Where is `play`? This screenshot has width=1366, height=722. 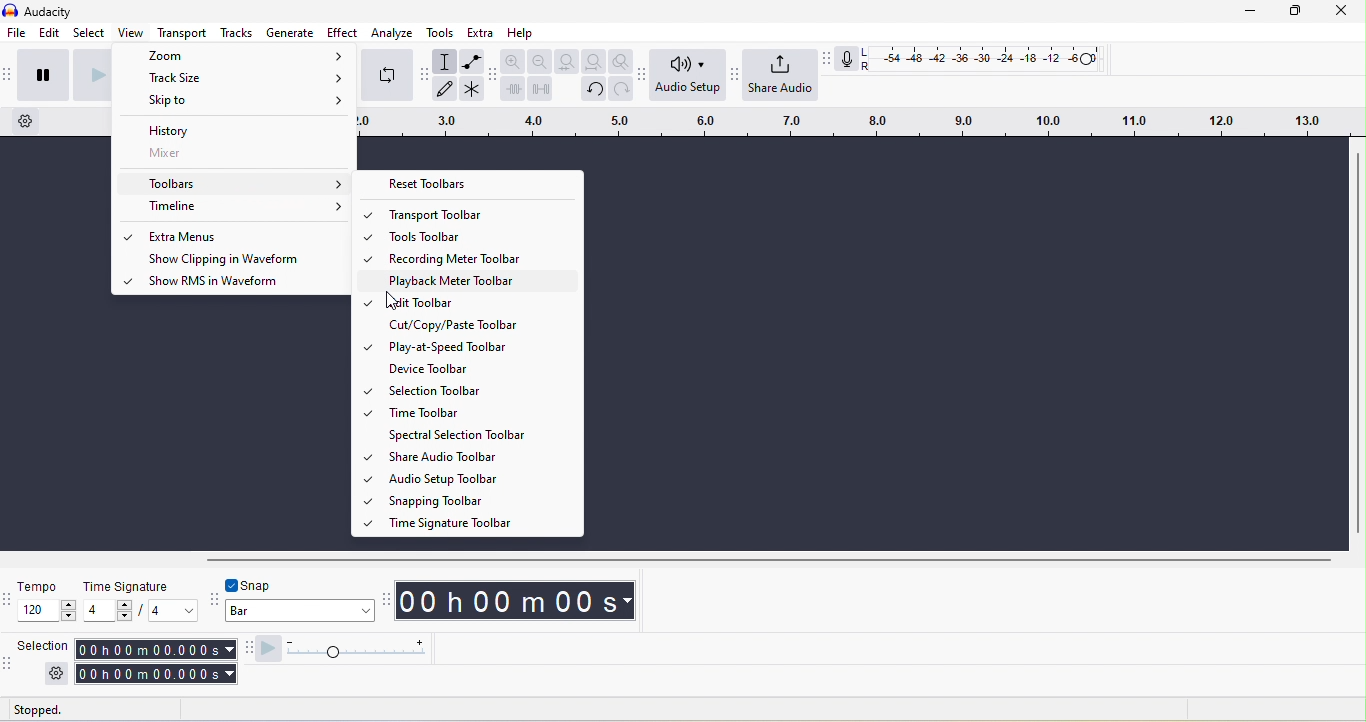
play is located at coordinates (90, 76).